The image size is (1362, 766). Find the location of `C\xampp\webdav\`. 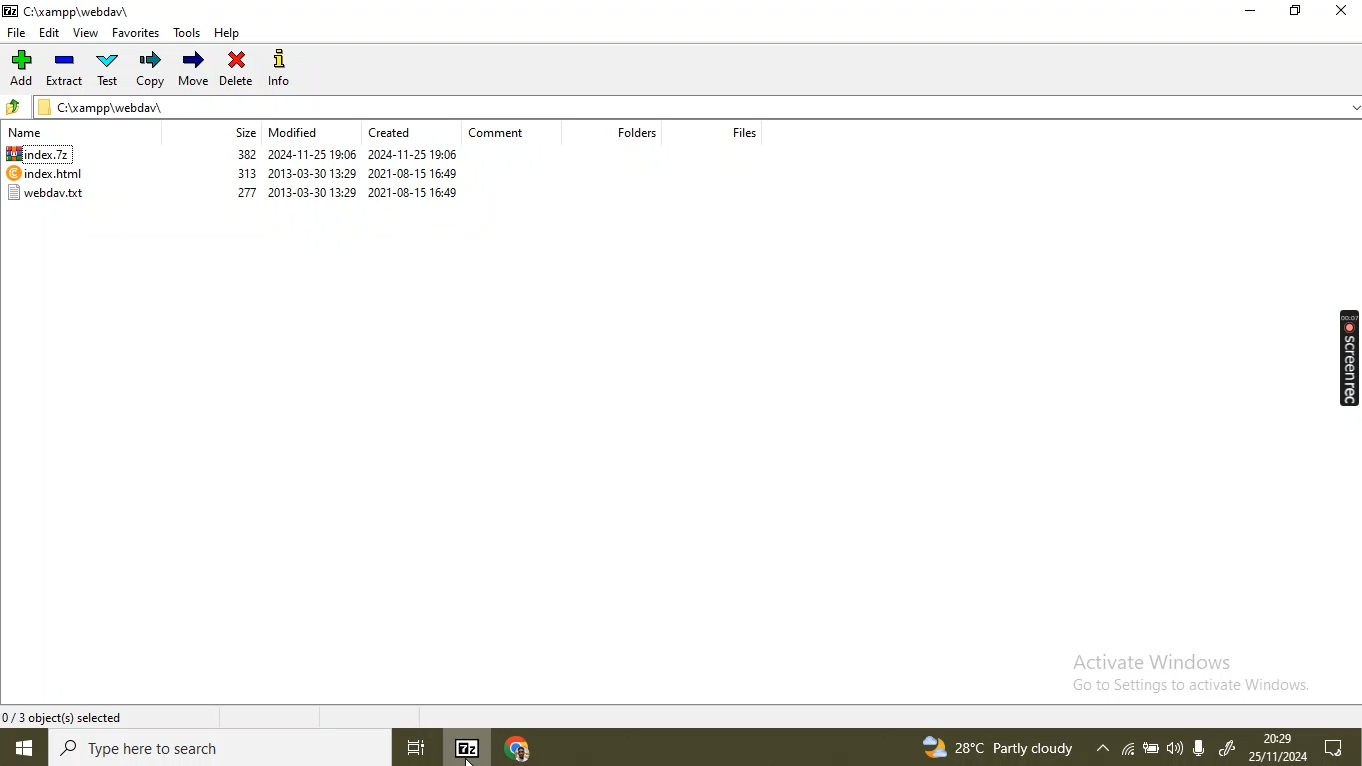

C\xampp\webdav\ is located at coordinates (698, 108).